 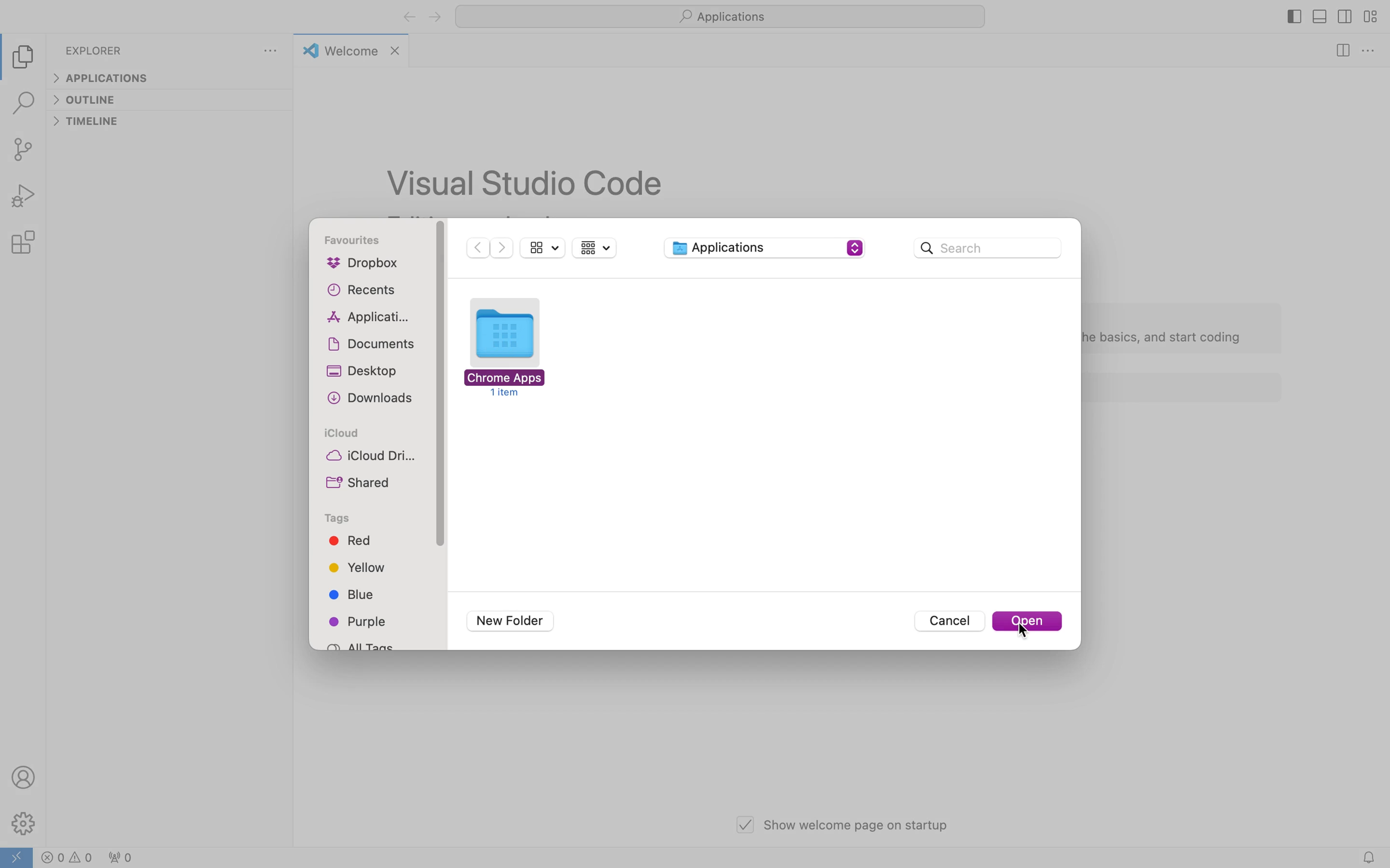 I want to click on vs code text, so click(x=528, y=183).